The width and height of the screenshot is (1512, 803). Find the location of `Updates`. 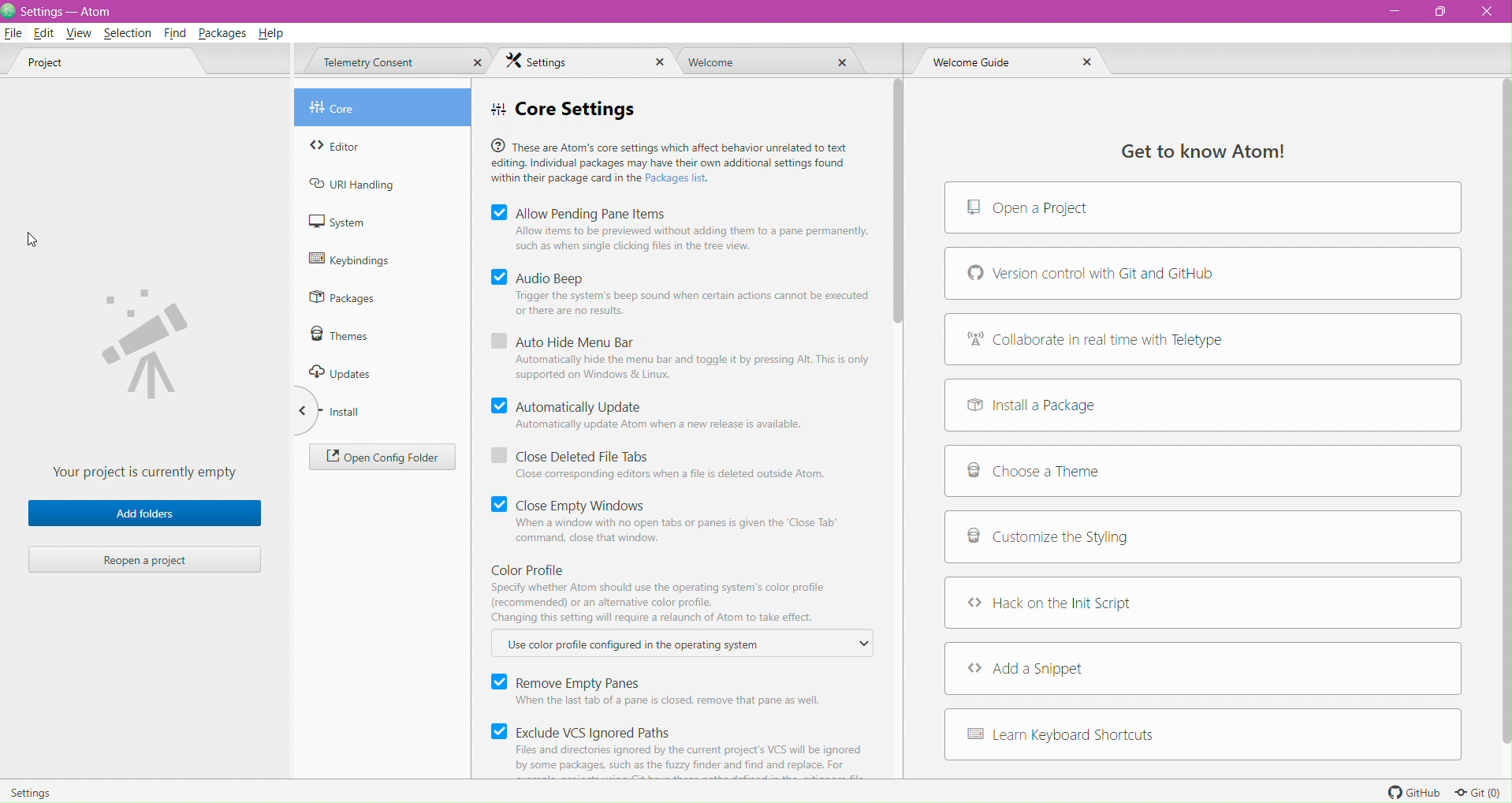

Updates is located at coordinates (352, 372).